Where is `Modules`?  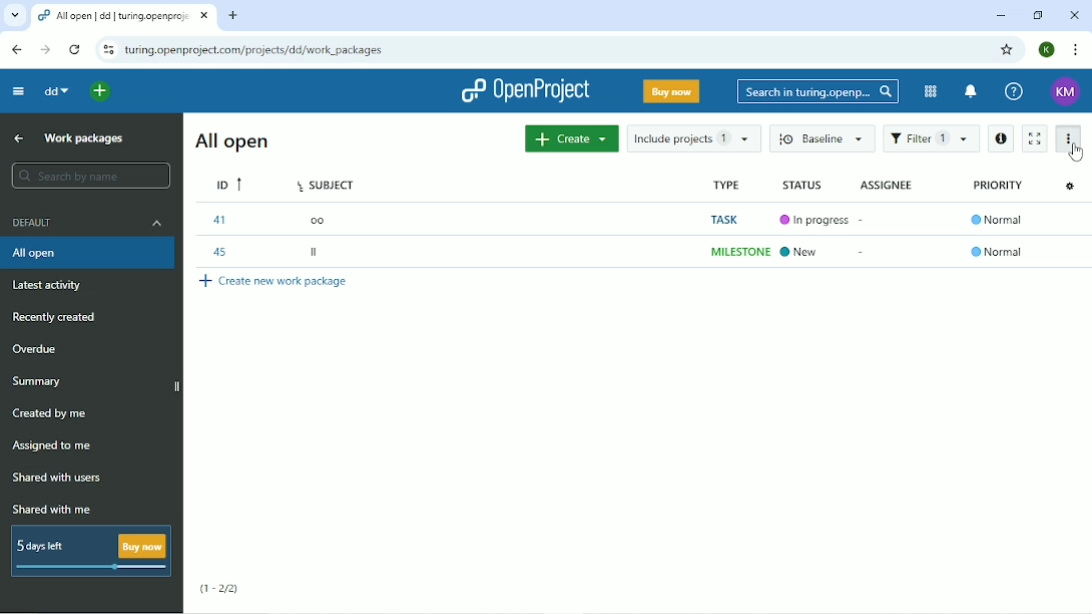
Modules is located at coordinates (929, 90).